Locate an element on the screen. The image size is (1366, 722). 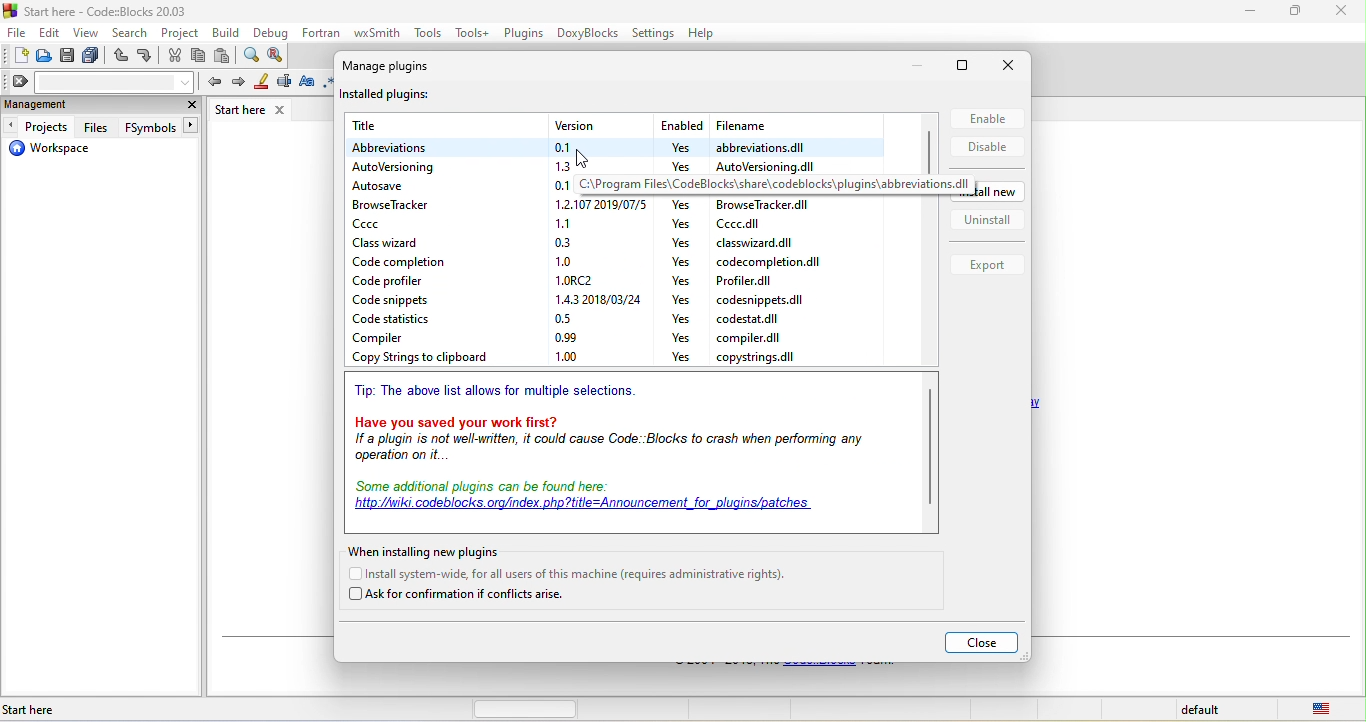
find is located at coordinates (252, 55).